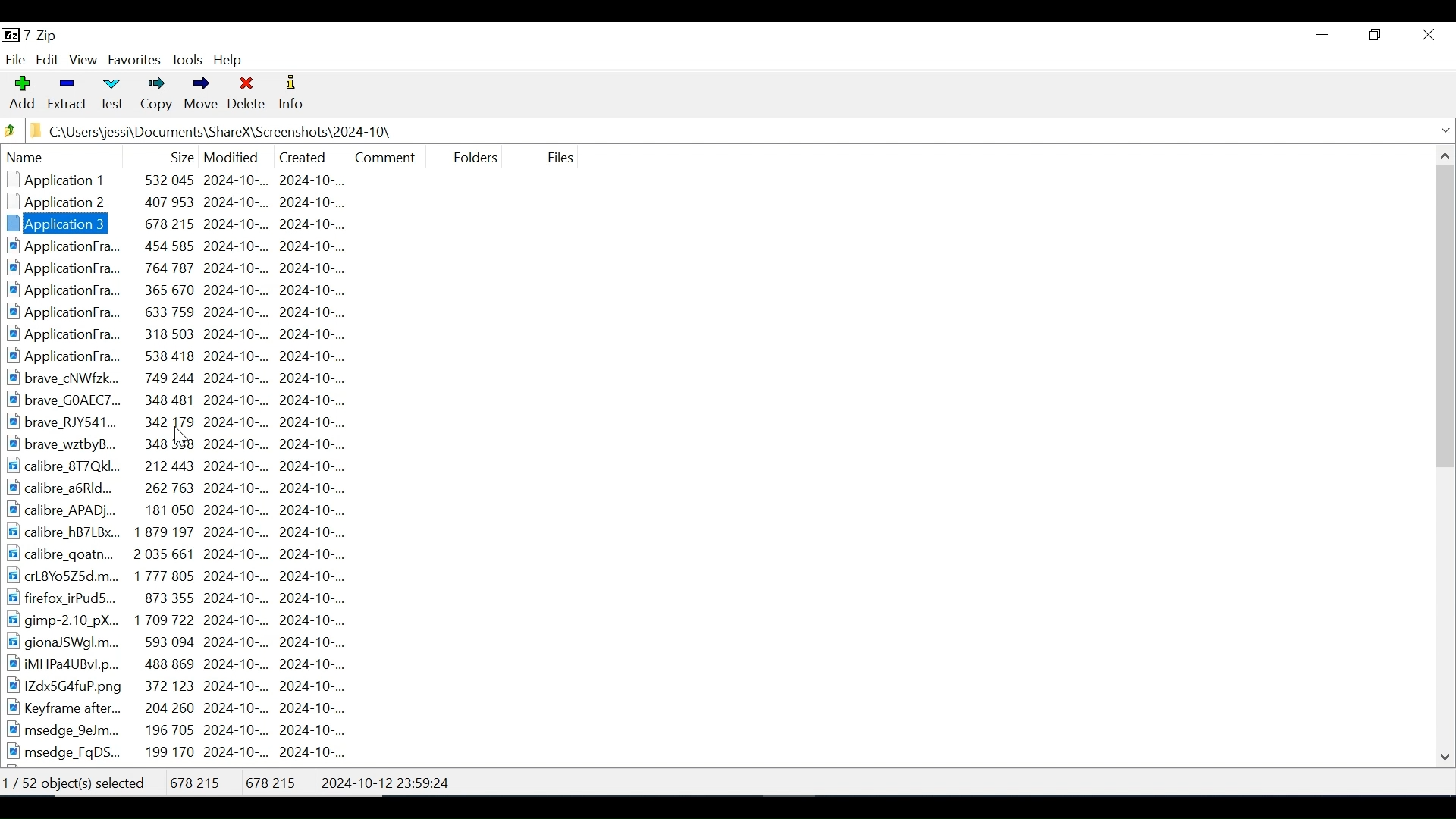 The width and height of the screenshot is (1456, 819). Describe the element at coordinates (199, 554) in the screenshot. I see `calibre_goatn... 2035661 2024-10-... 2024-10-...` at that location.